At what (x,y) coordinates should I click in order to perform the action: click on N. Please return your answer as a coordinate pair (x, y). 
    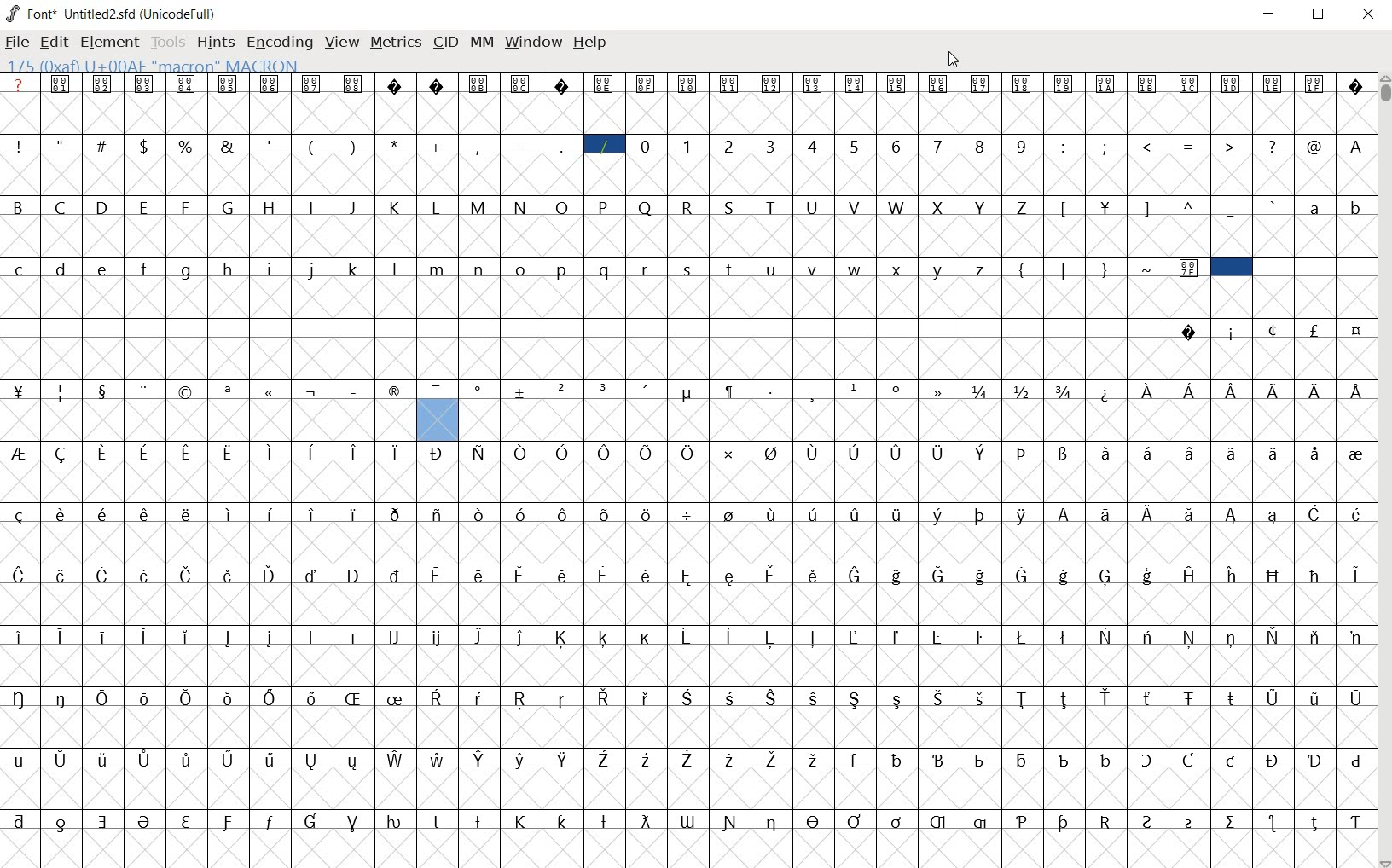
    Looking at the image, I should click on (523, 207).